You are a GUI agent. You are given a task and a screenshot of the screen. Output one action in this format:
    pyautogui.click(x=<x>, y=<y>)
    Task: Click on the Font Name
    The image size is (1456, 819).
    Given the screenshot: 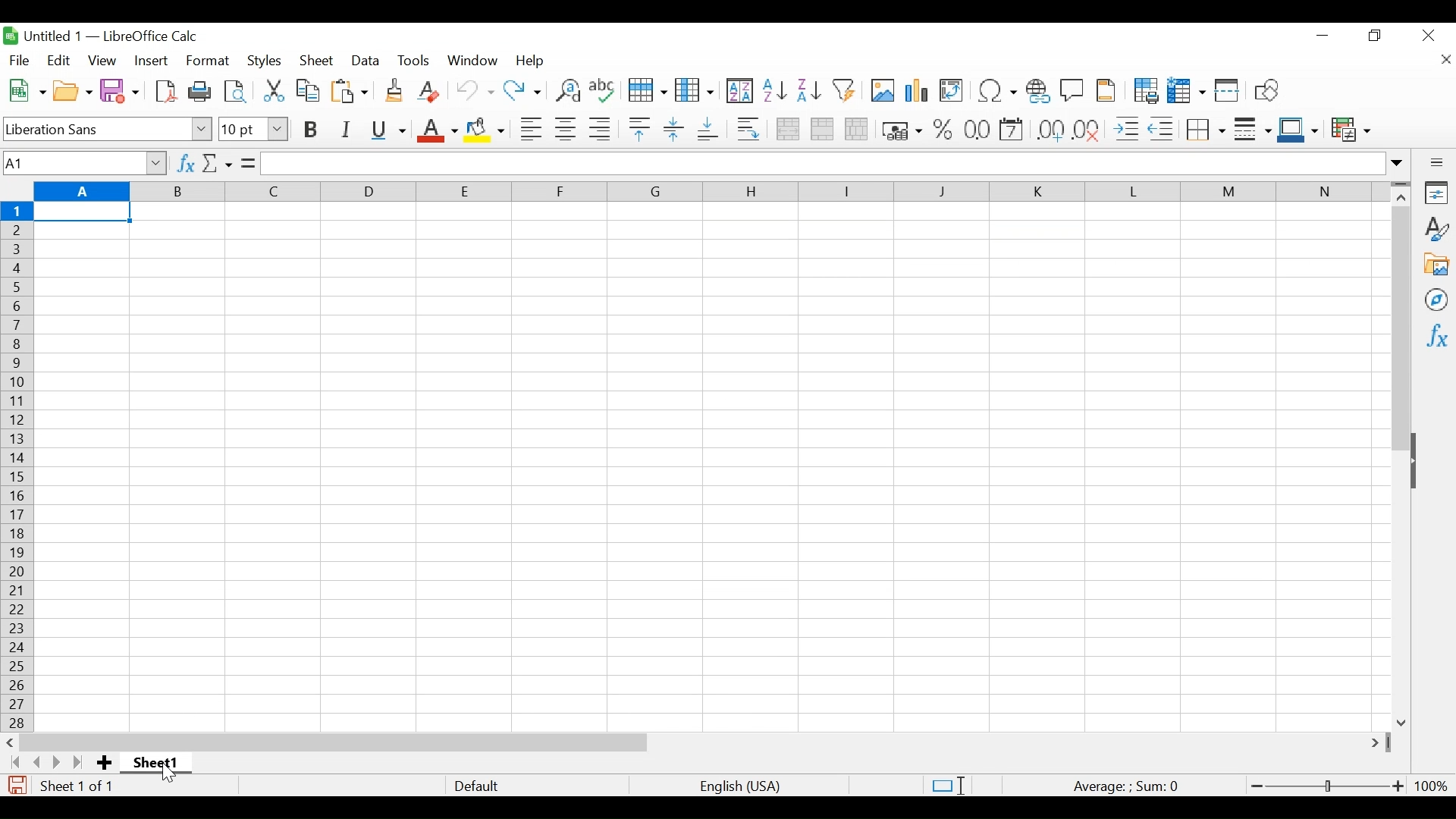 What is the action you would take?
    pyautogui.click(x=108, y=128)
    